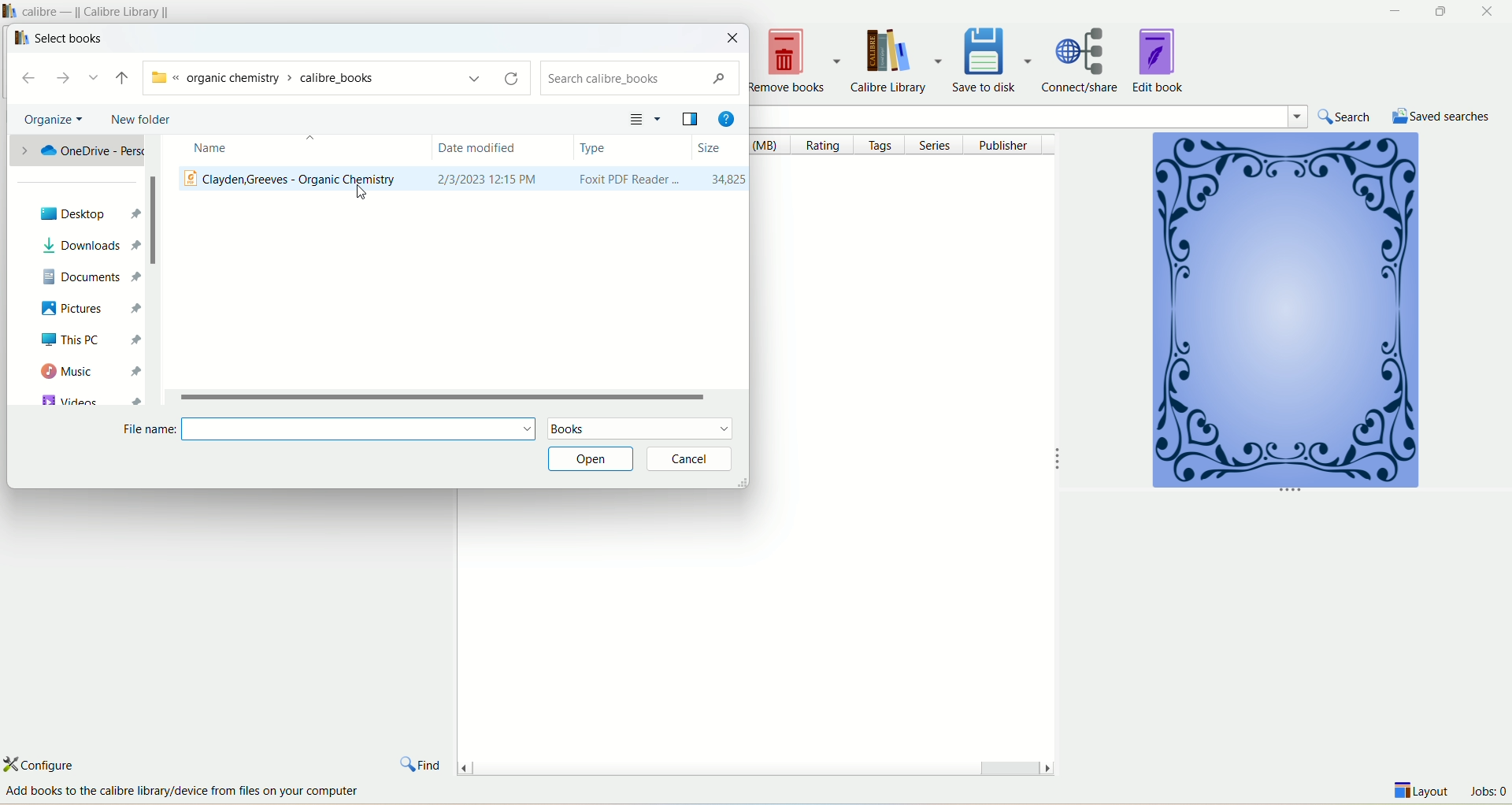  Describe the element at coordinates (939, 144) in the screenshot. I see `series` at that location.